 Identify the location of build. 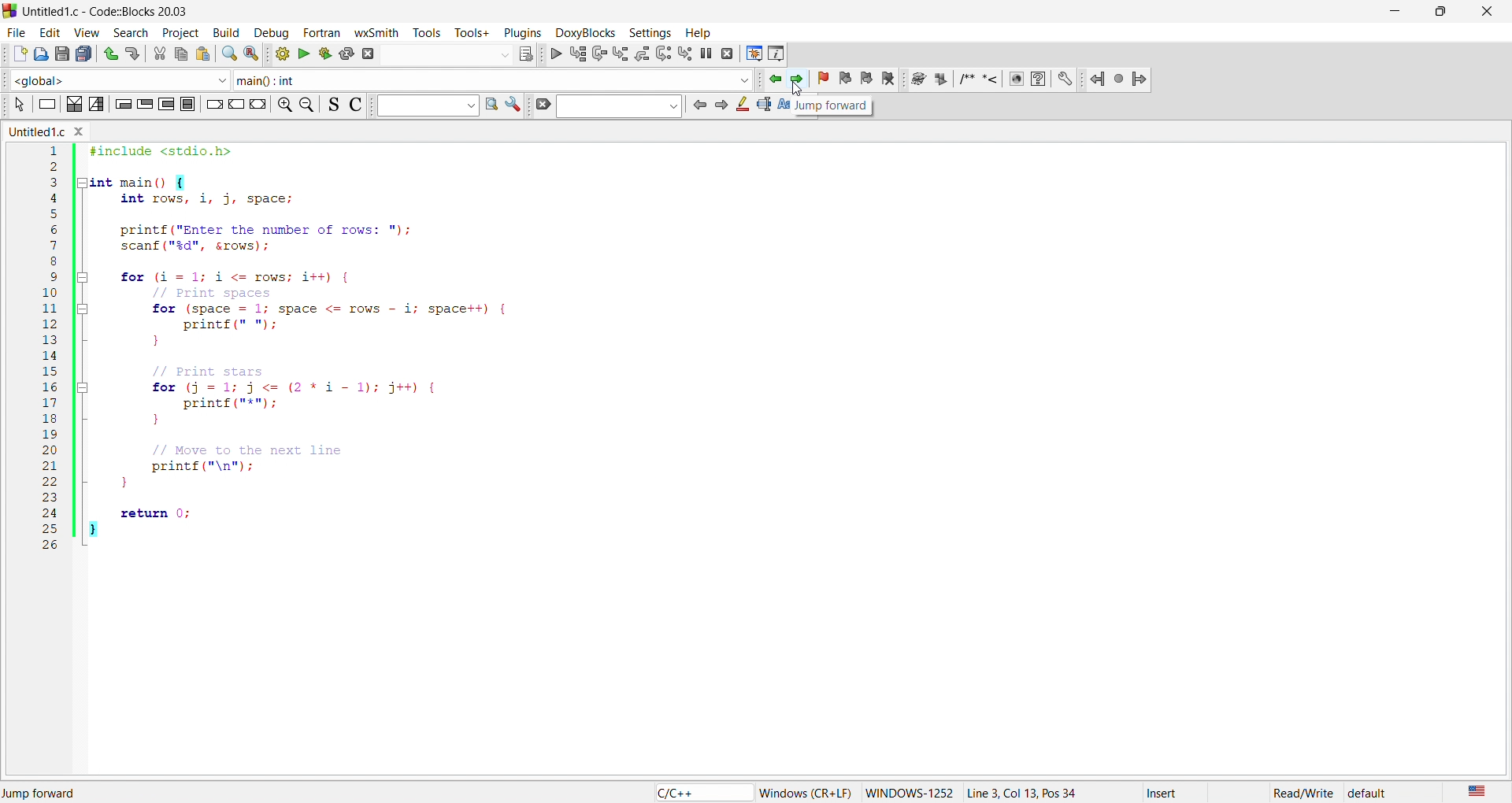
(276, 54).